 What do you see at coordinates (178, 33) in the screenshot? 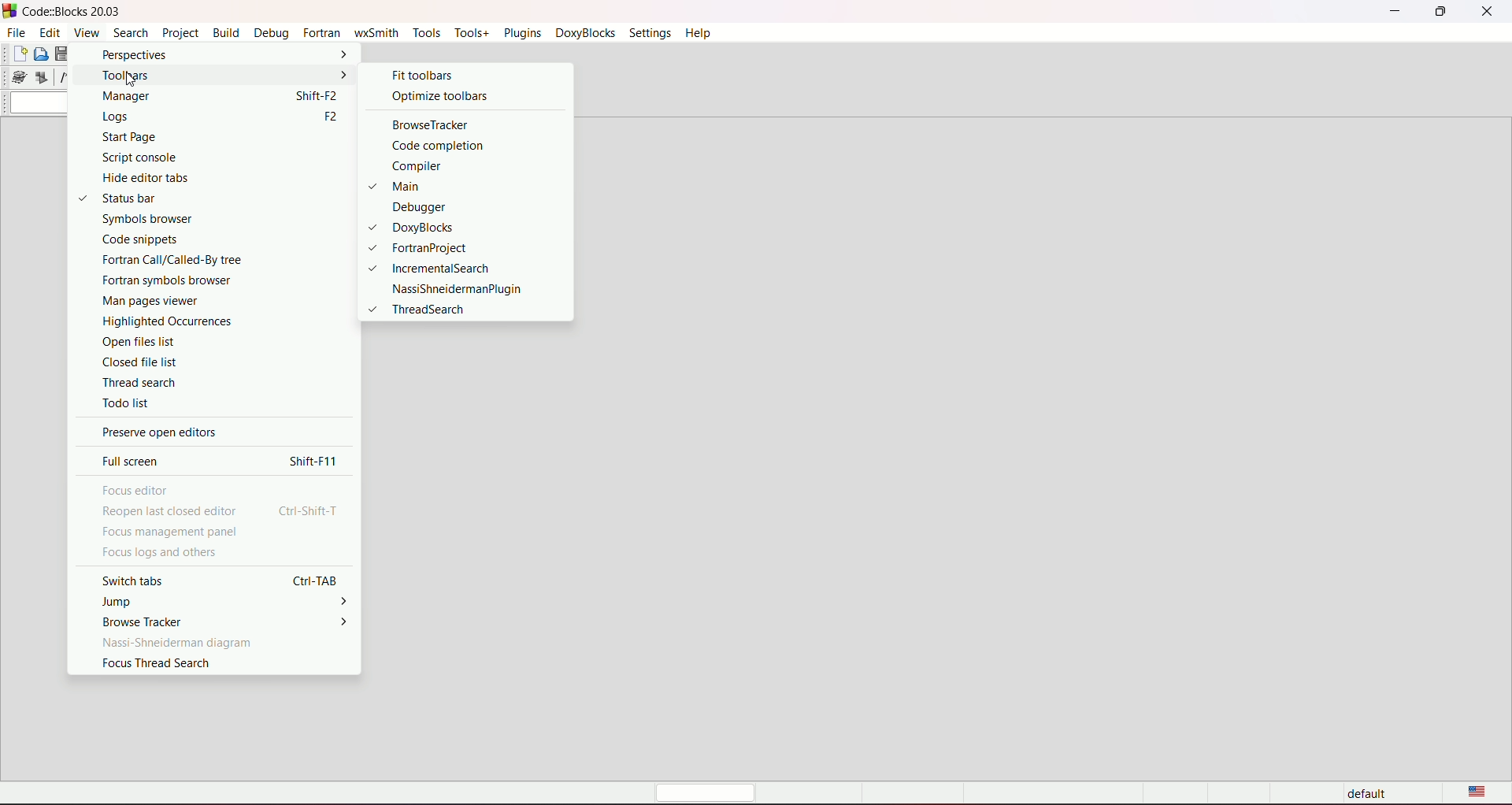
I see `project` at bounding box center [178, 33].